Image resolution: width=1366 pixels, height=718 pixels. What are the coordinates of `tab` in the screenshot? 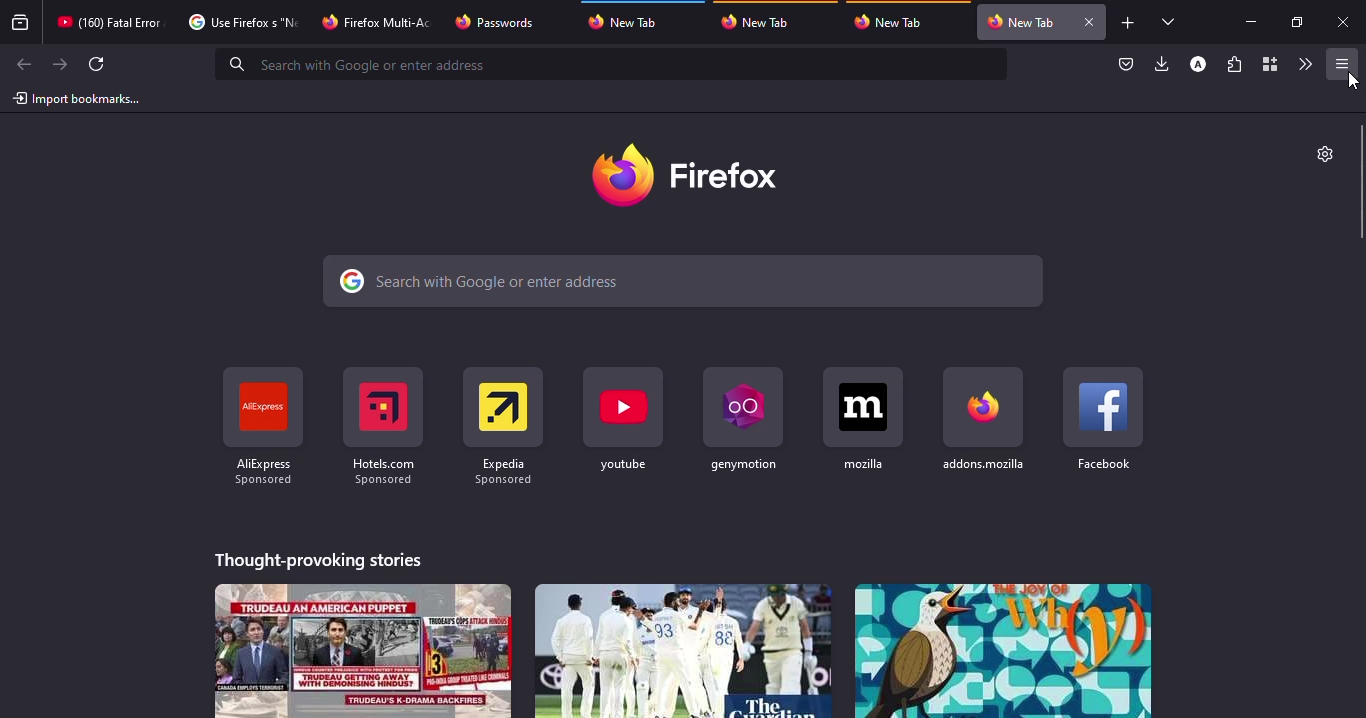 It's located at (761, 21).